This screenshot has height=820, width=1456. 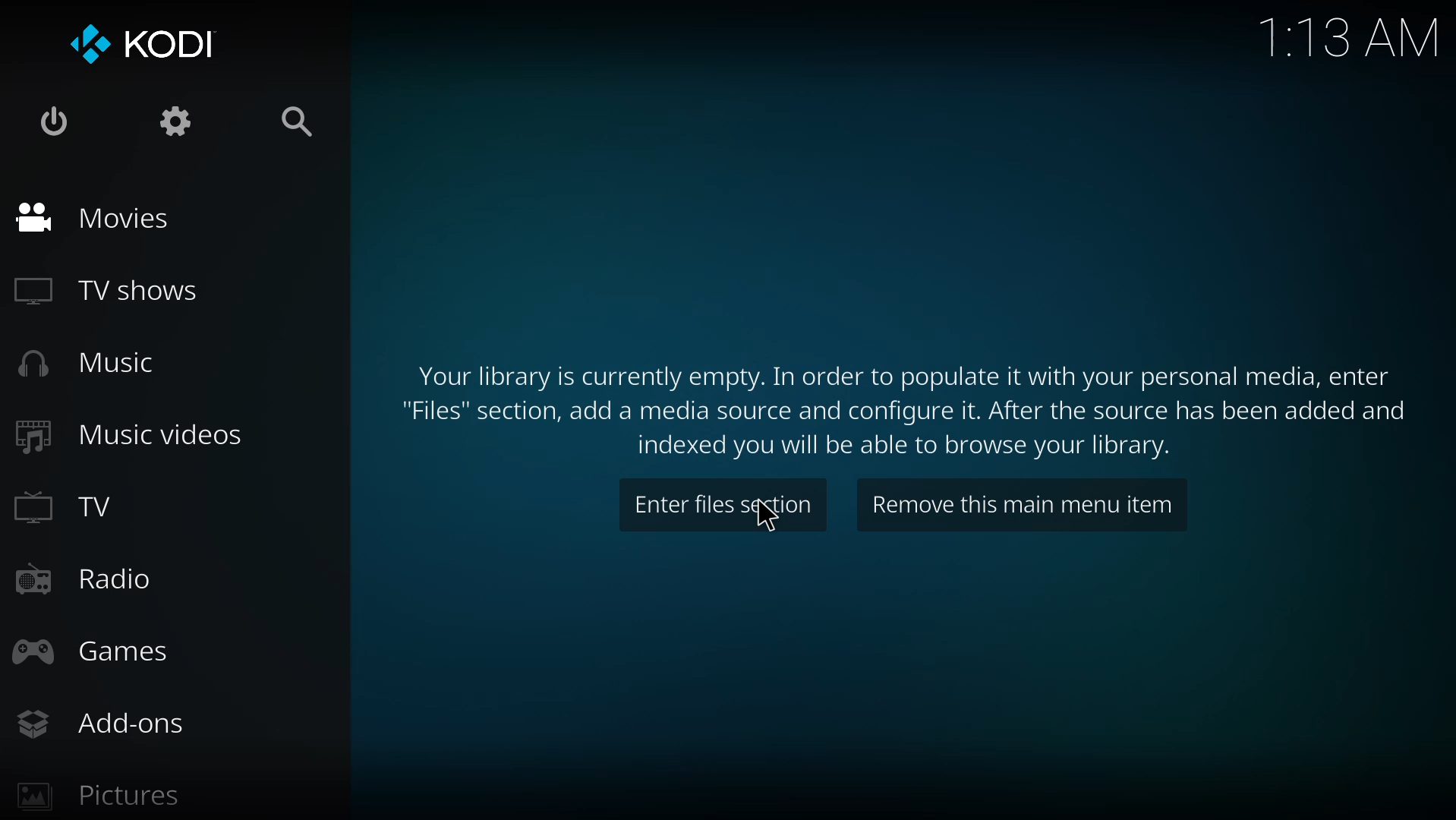 What do you see at coordinates (131, 434) in the screenshot?
I see `music videos` at bounding box center [131, 434].